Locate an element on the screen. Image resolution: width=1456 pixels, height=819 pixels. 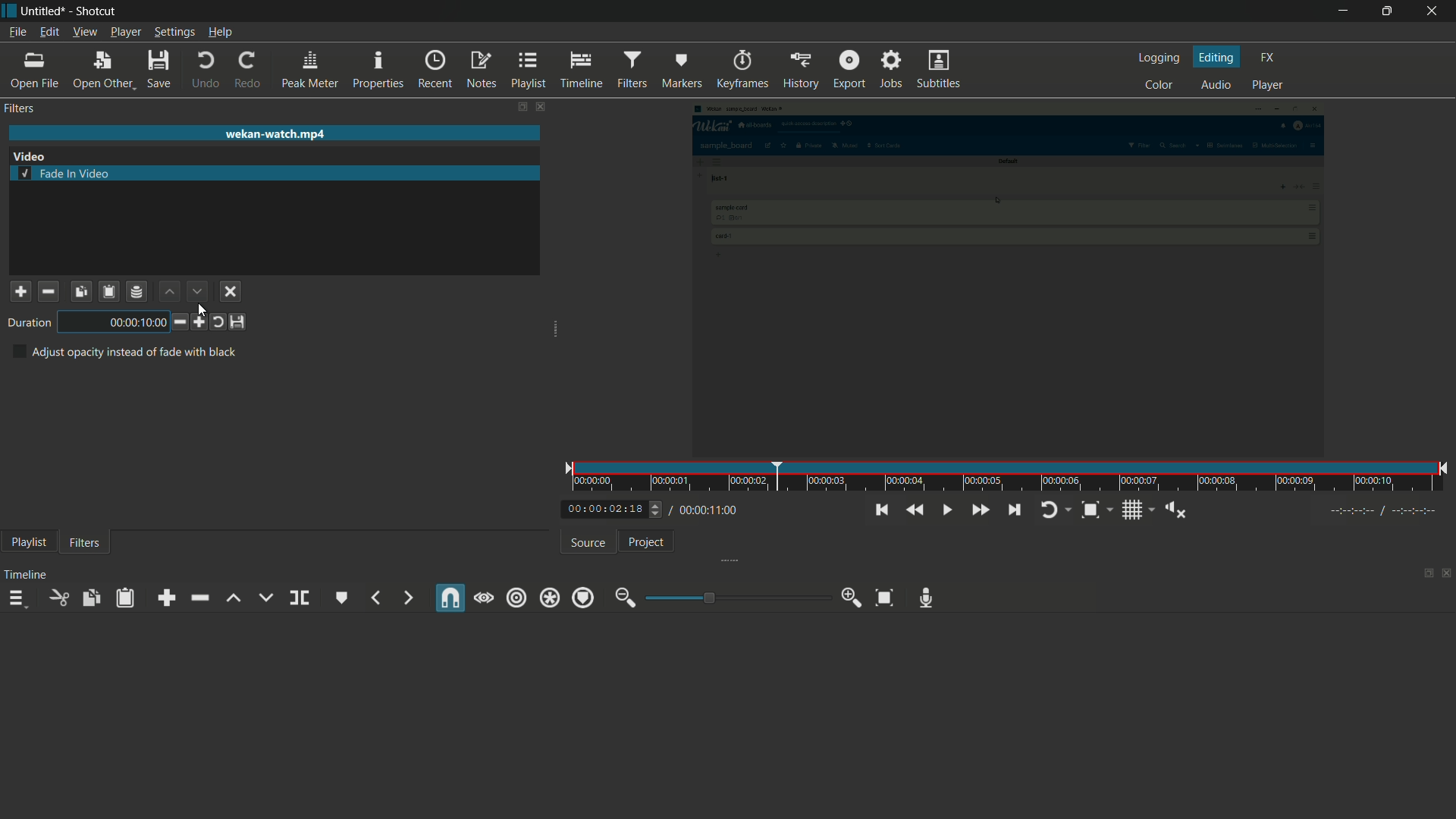
ripple markers is located at coordinates (584, 597).